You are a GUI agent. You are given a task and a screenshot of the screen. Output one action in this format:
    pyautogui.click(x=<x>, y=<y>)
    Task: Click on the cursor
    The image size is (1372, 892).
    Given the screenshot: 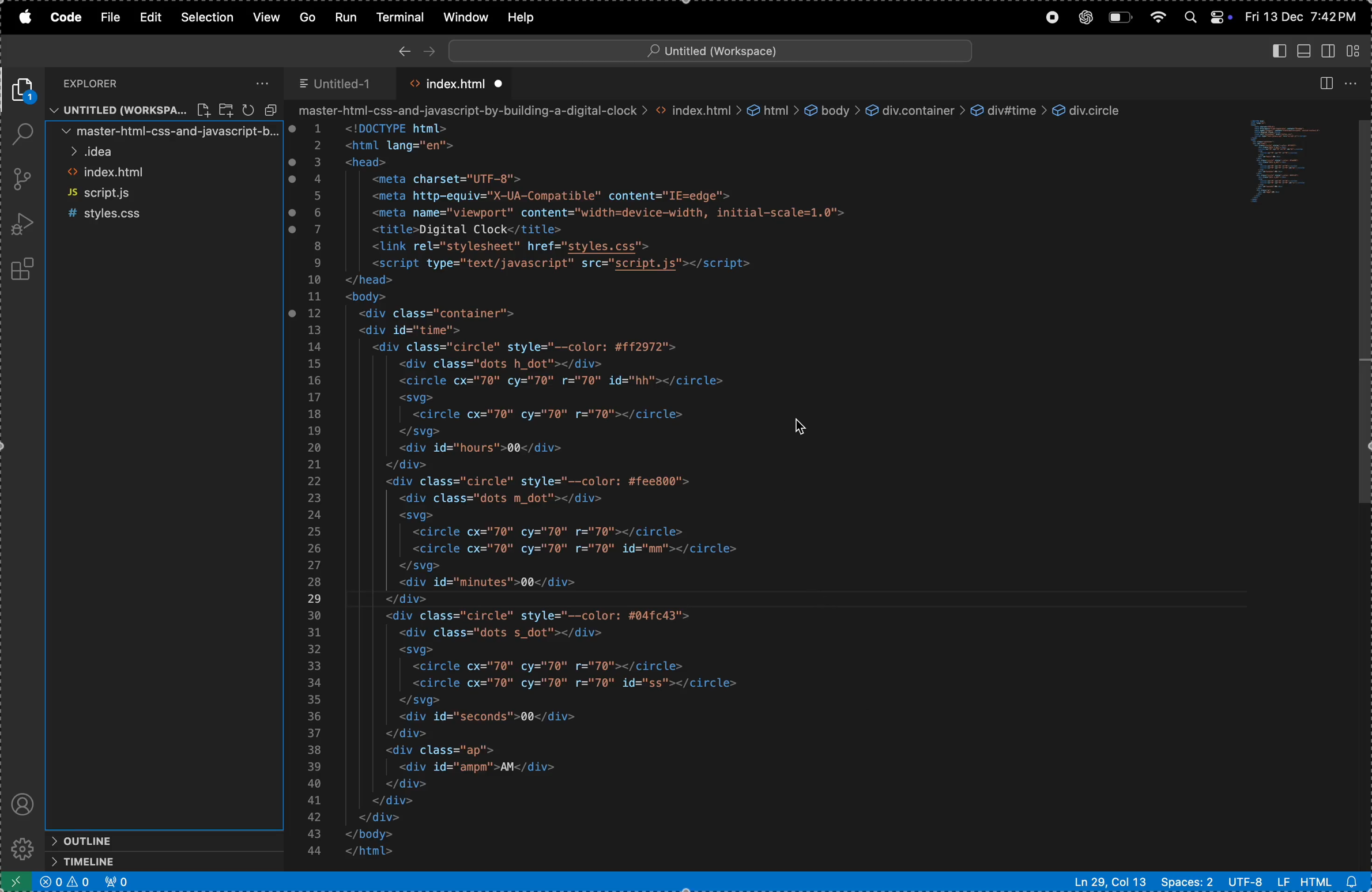 What is the action you would take?
    pyautogui.click(x=804, y=428)
    